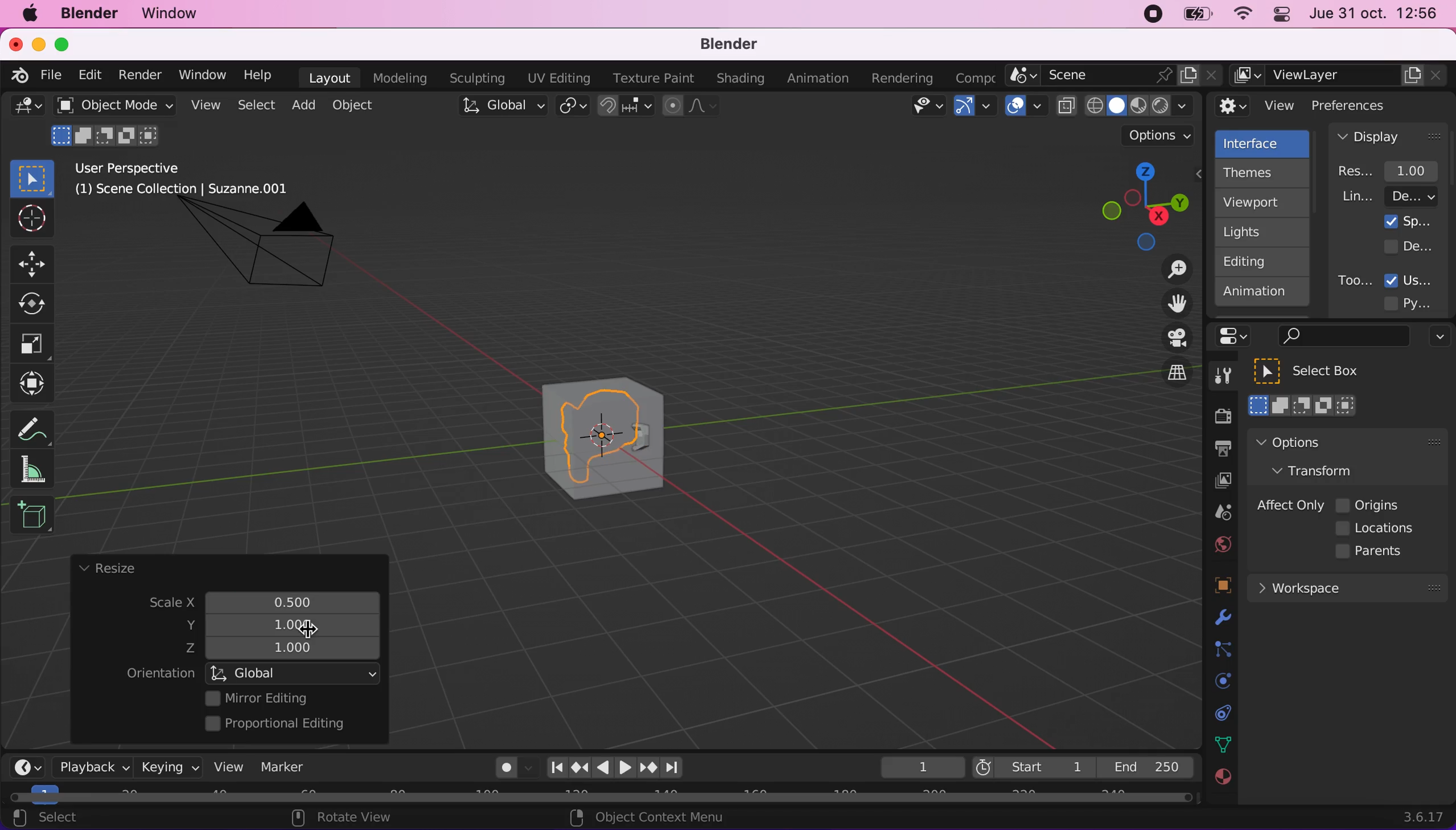  I want to click on shading, so click(741, 79).